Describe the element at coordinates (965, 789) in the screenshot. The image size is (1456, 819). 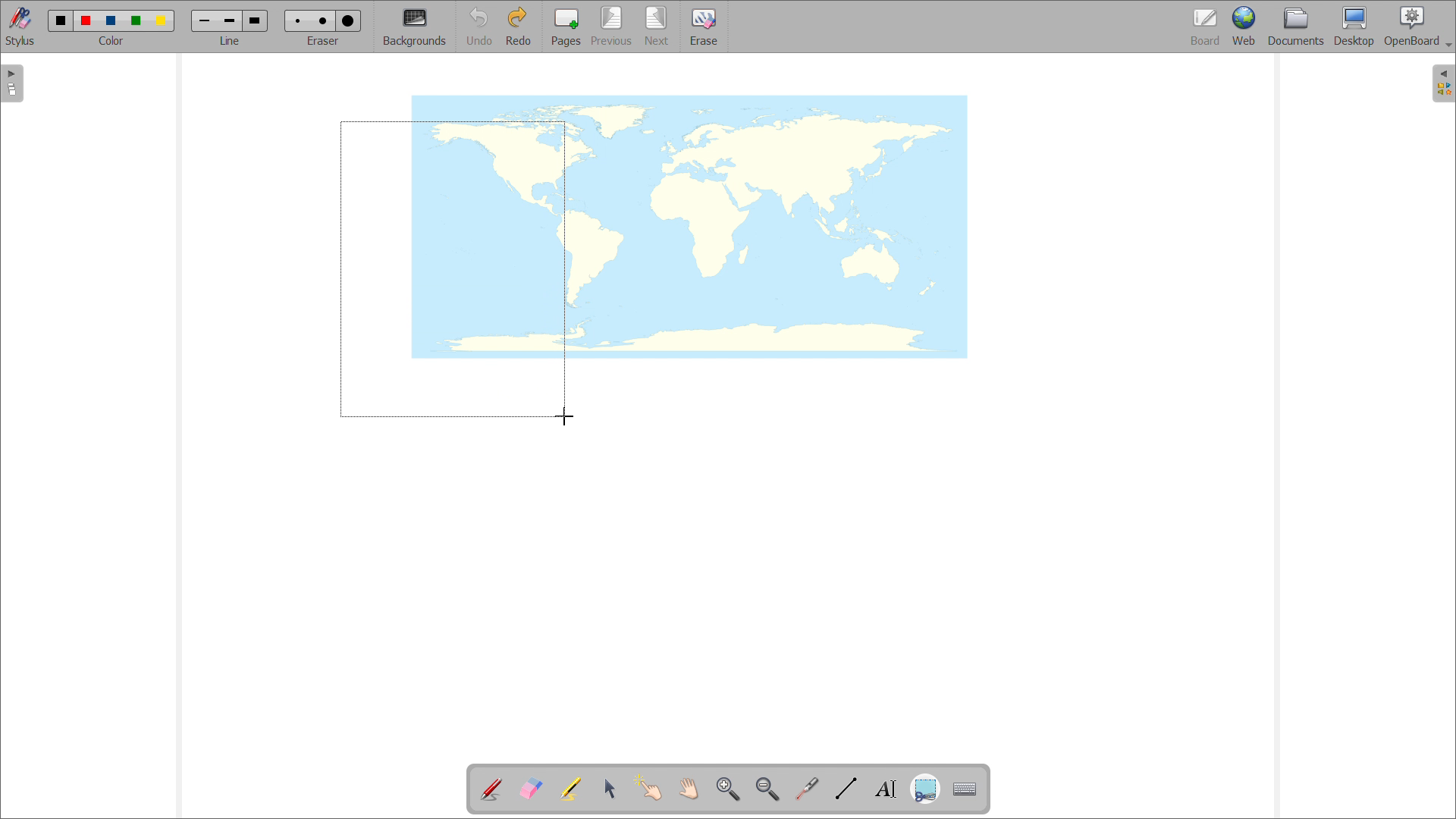
I see `virtual keyboard` at that location.